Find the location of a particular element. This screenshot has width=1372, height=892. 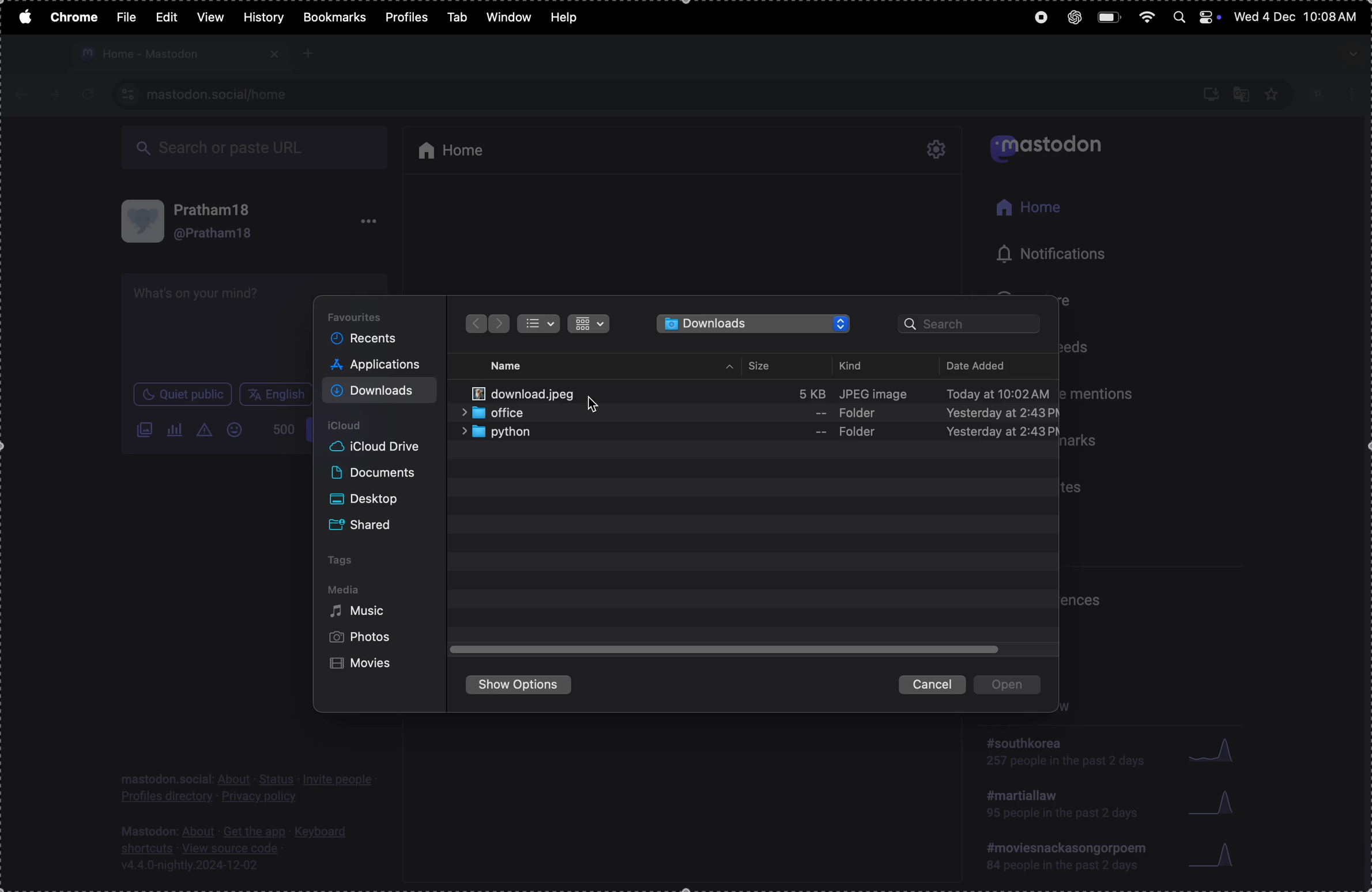

Filw is located at coordinates (126, 16).